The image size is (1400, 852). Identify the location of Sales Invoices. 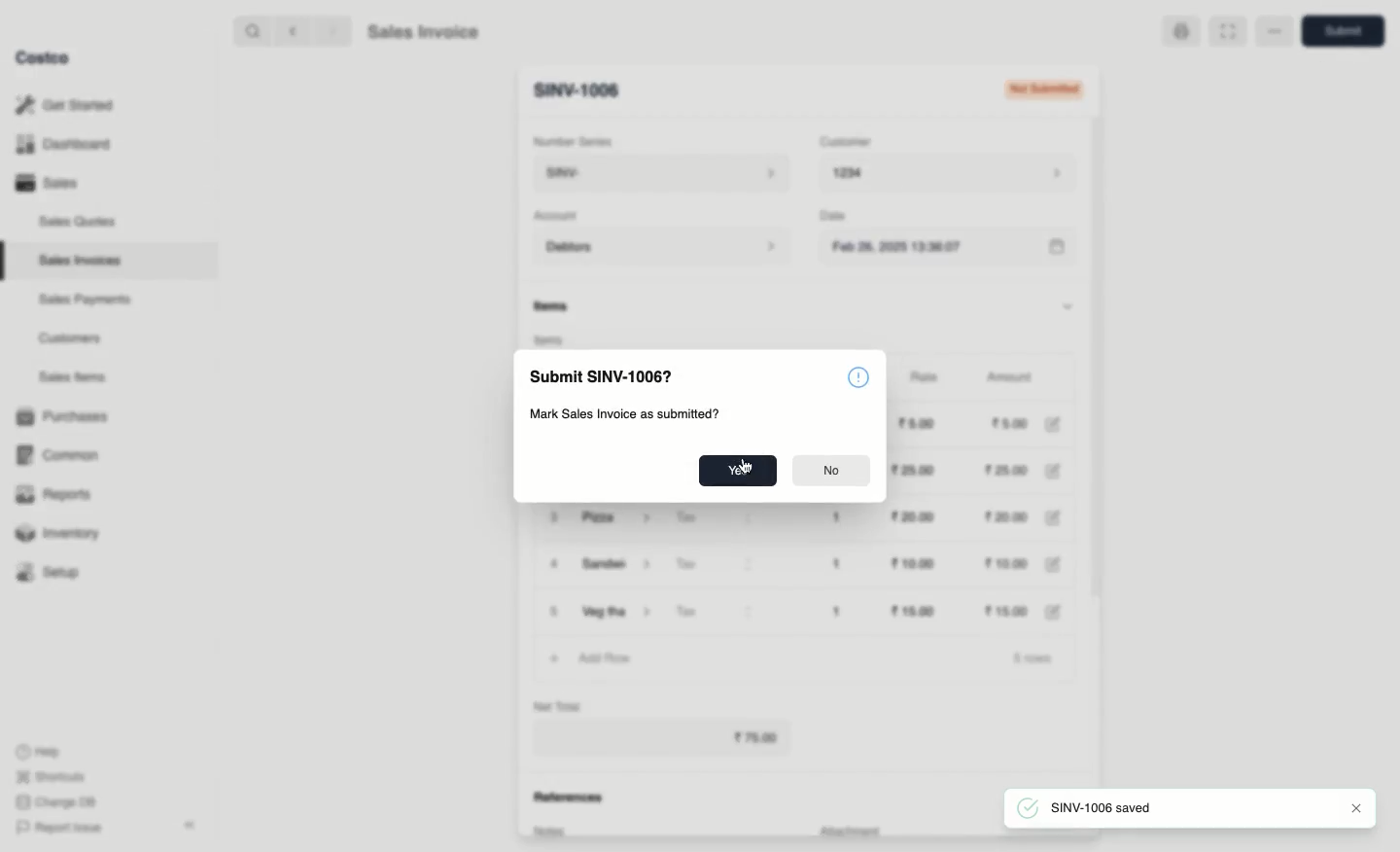
(81, 261).